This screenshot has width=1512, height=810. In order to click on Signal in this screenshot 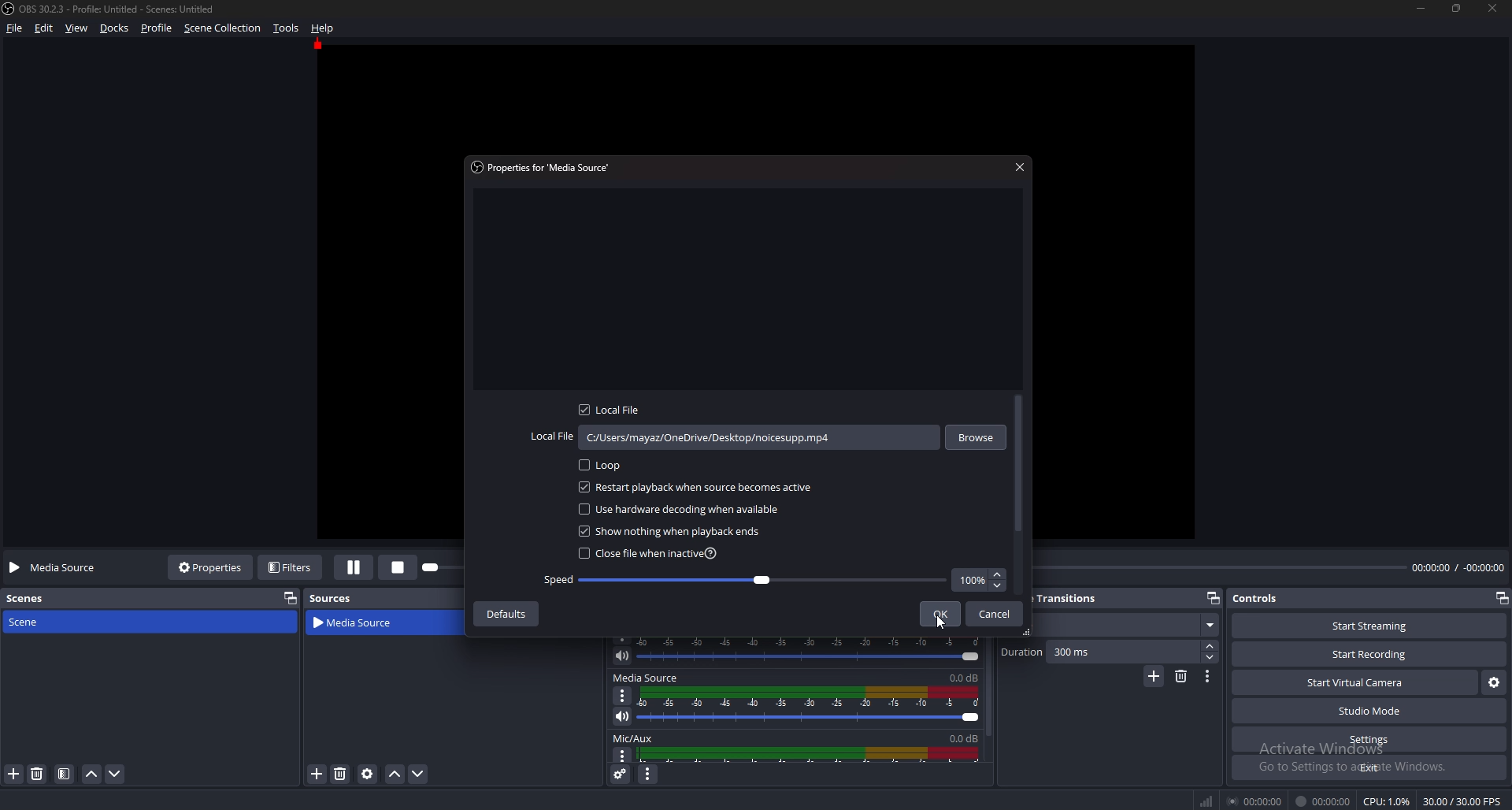, I will do `click(1206, 801)`.